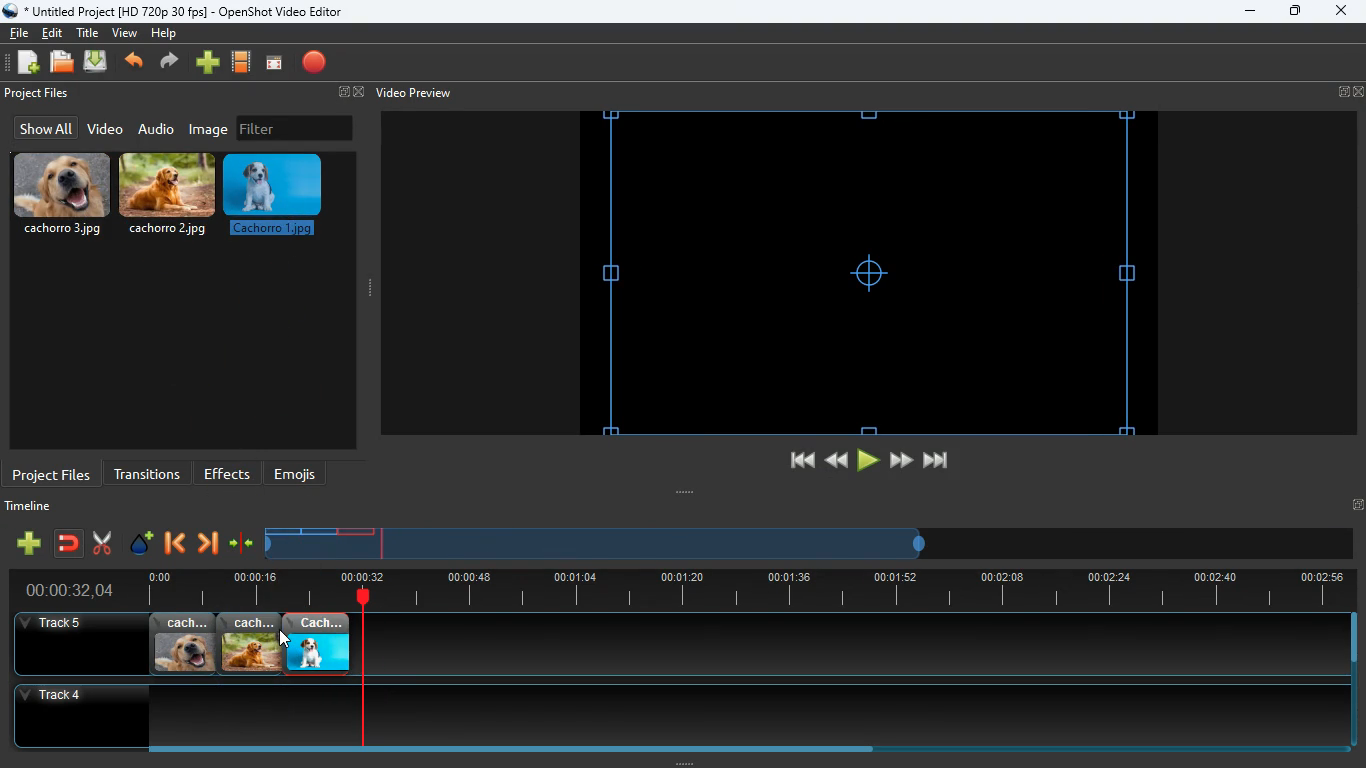 The height and width of the screenshot is (768, 1366). I want to click on cachorro.1.jpg, so click(277, 201).